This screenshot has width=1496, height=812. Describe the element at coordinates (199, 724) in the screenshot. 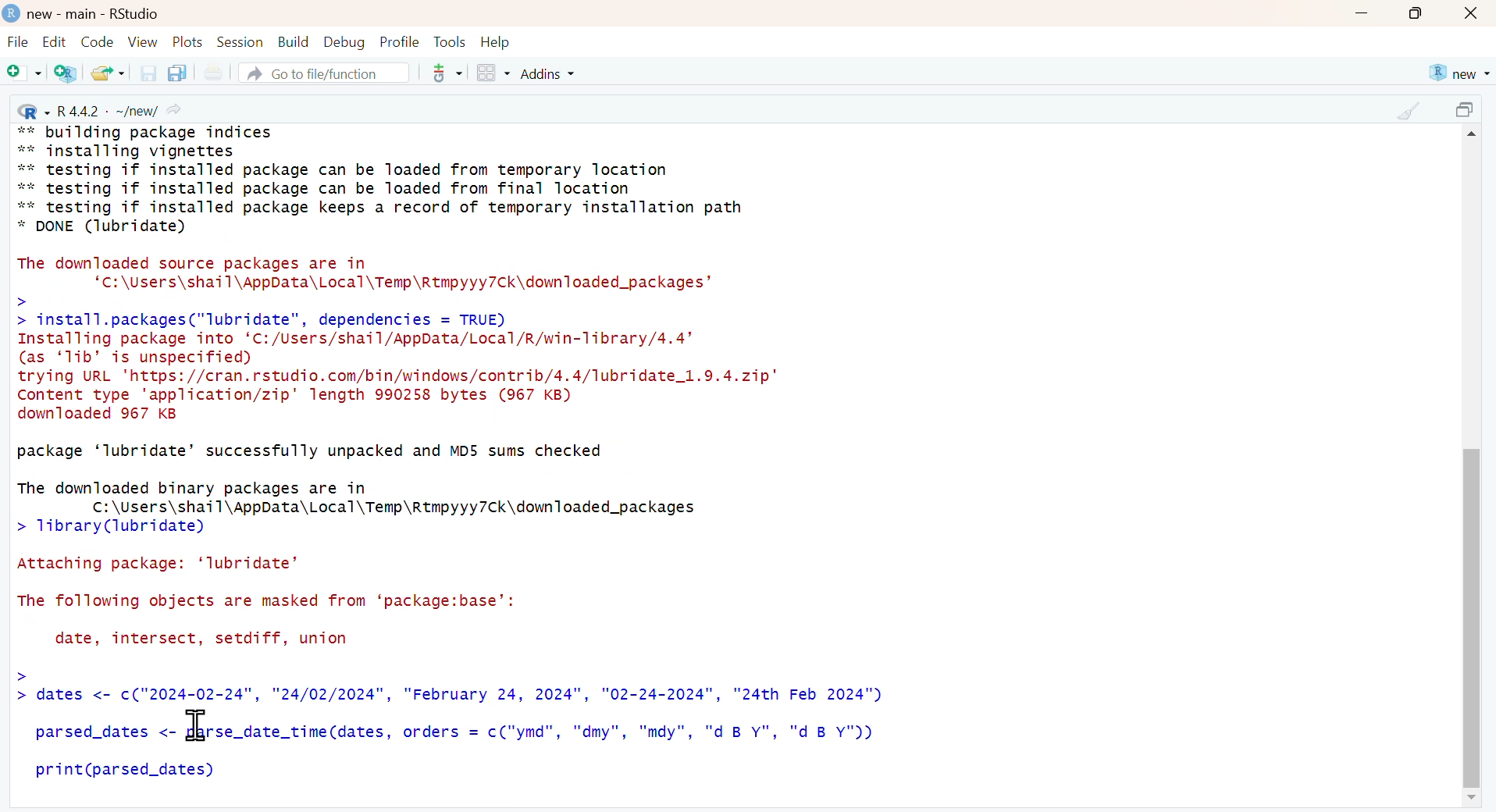

I see `cursor` at that location.